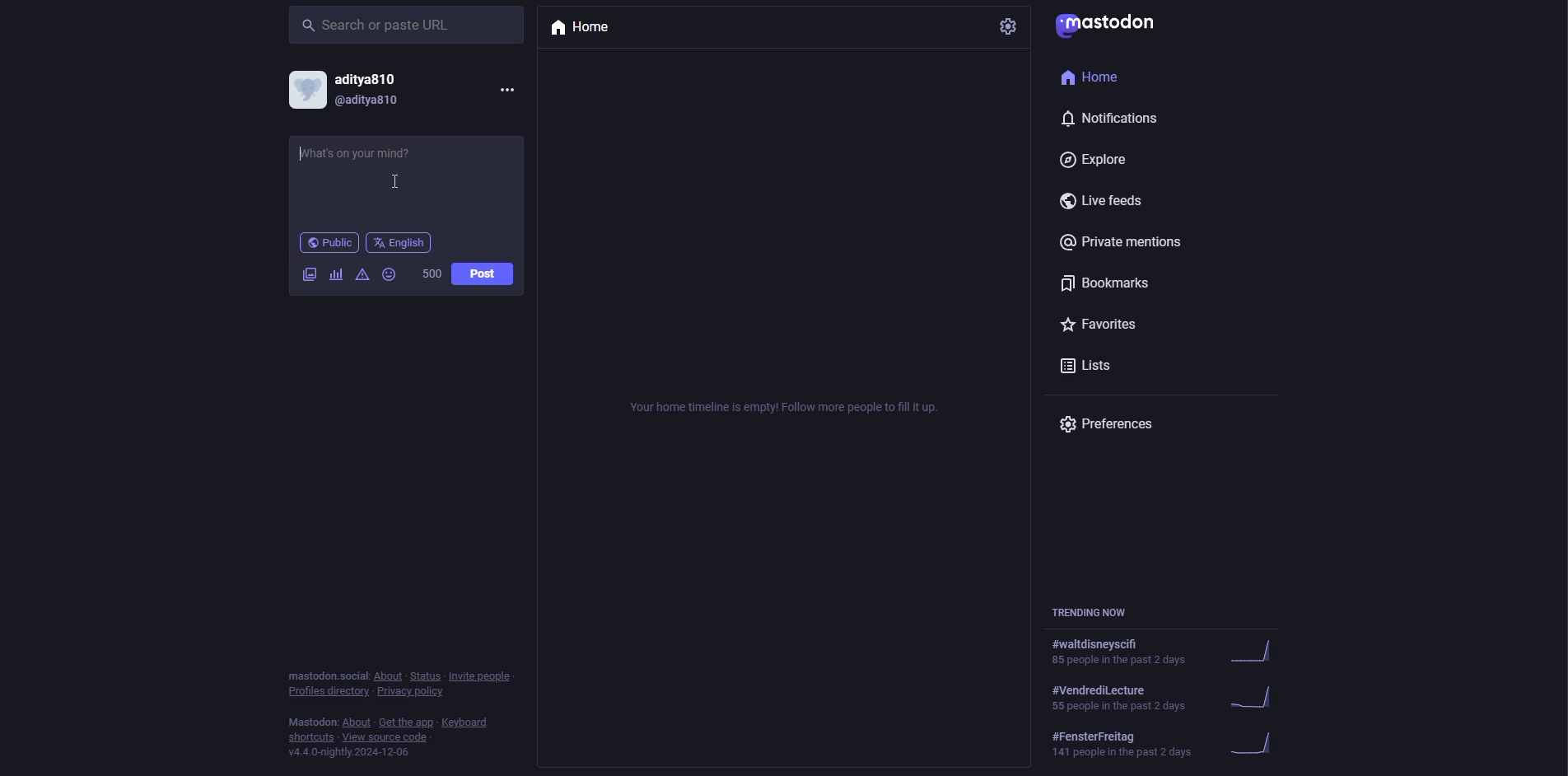 This screenshot has height=776, width=1568. I want to click on trending now, so click(1174, 652).